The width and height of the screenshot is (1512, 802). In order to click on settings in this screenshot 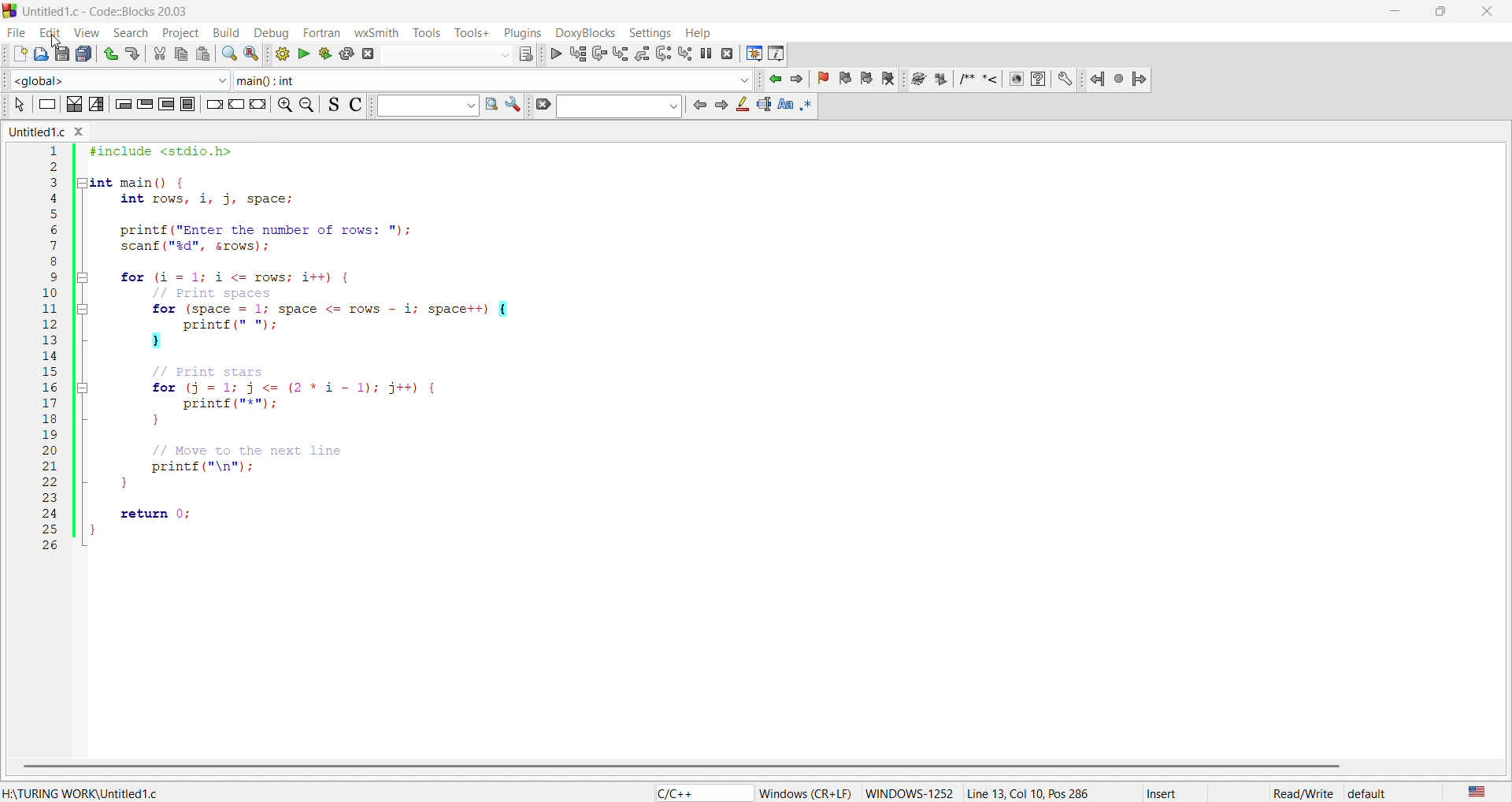, I will do `click(513, 104)`.